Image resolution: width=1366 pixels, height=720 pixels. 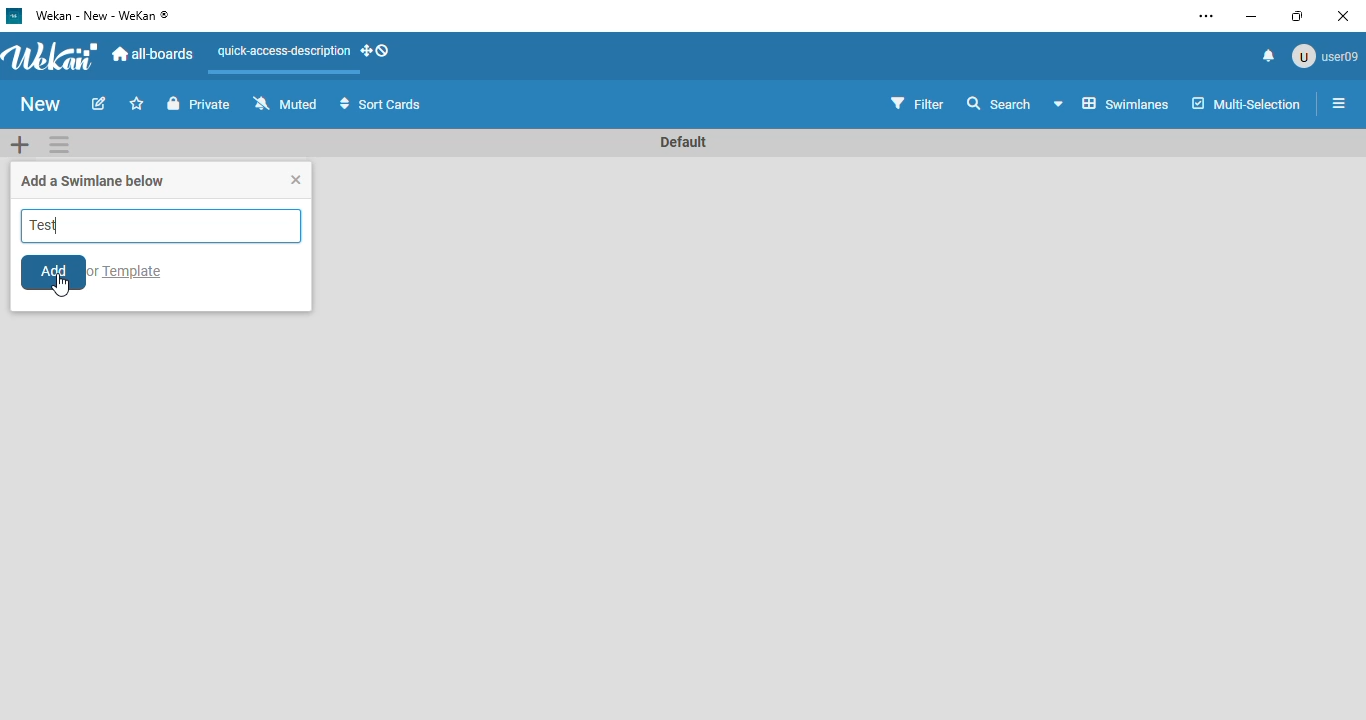 What do you see at coordinates (1270, 56) in the screenshot?
I see `notifications` at bounding box center [1270, 56].